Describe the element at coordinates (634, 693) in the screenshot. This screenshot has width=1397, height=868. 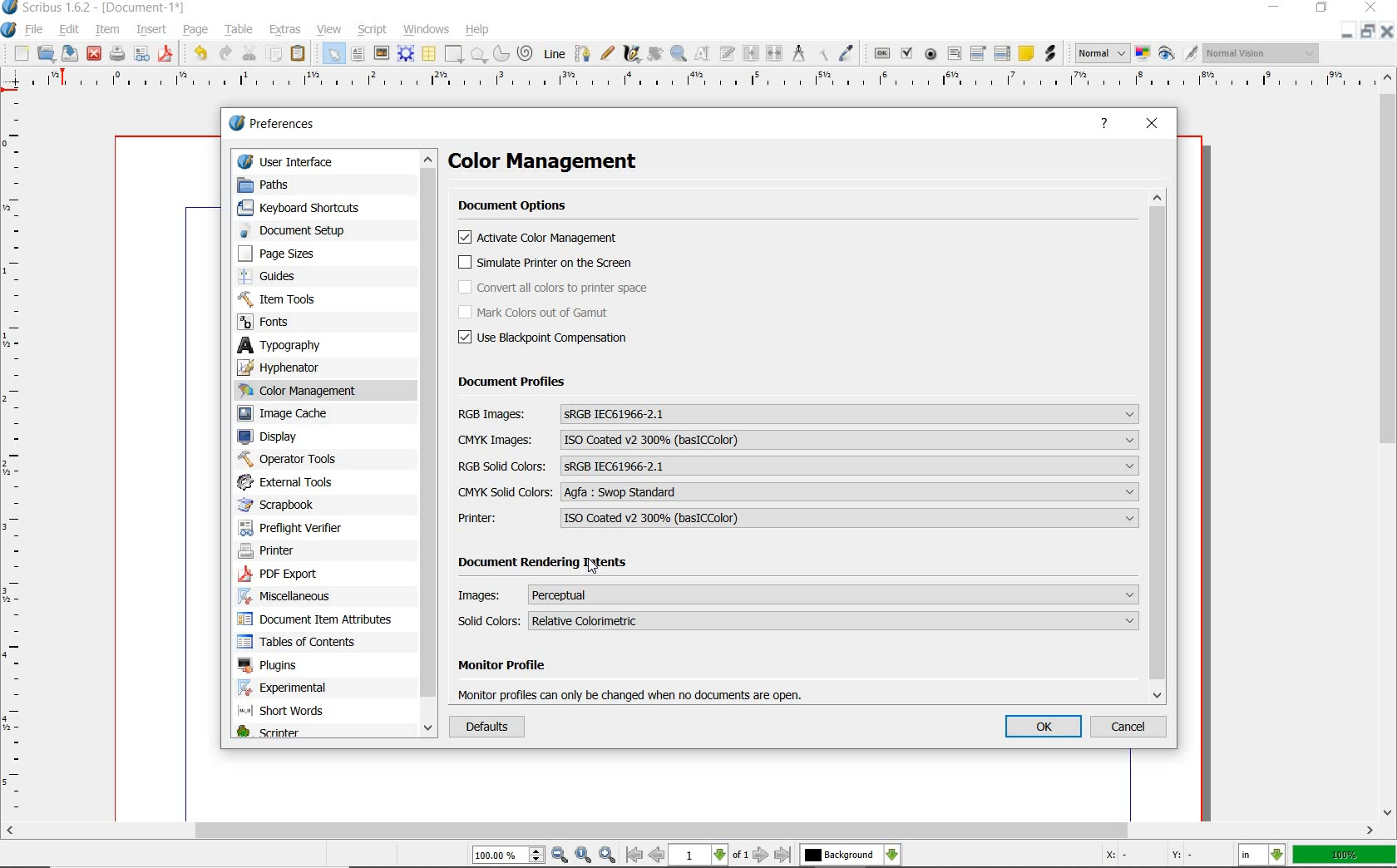
I see `monitor profile can only be changed when no documents are open.` at that location.